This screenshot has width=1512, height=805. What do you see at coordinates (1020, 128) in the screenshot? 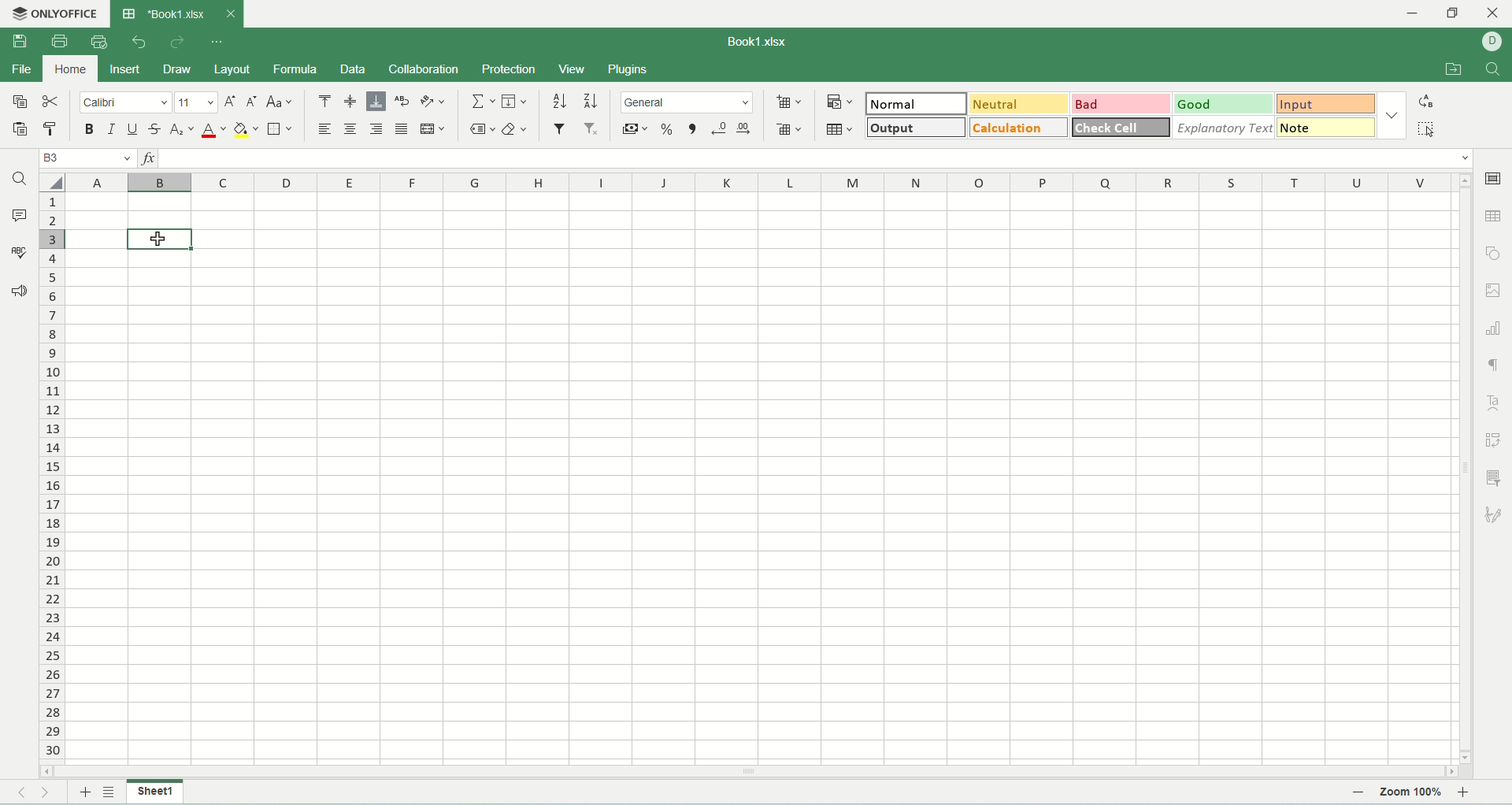
I see `calculation` at bounding box center [1020, 128].